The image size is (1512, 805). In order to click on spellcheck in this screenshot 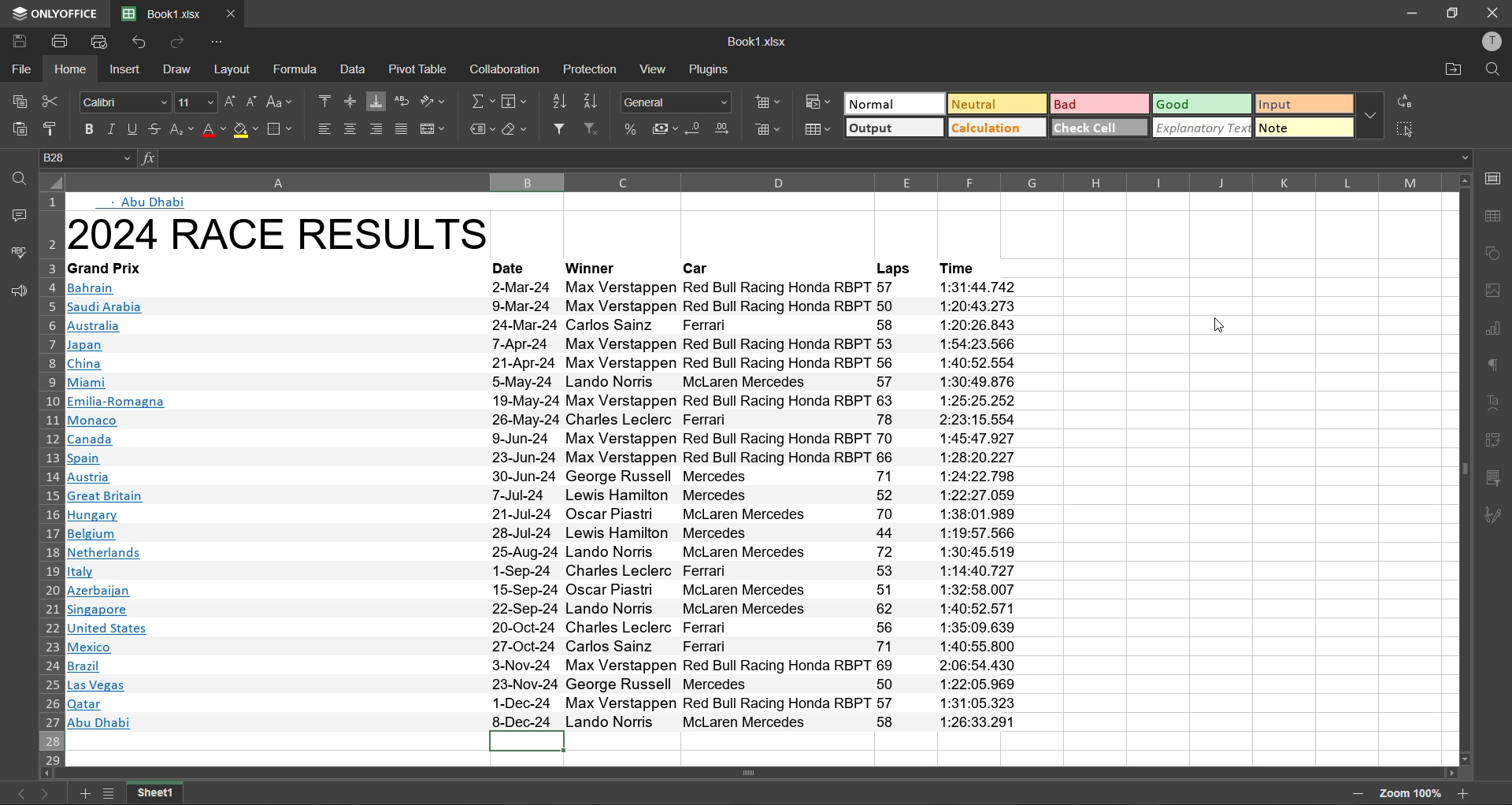, I will do `click(14, 252)`.